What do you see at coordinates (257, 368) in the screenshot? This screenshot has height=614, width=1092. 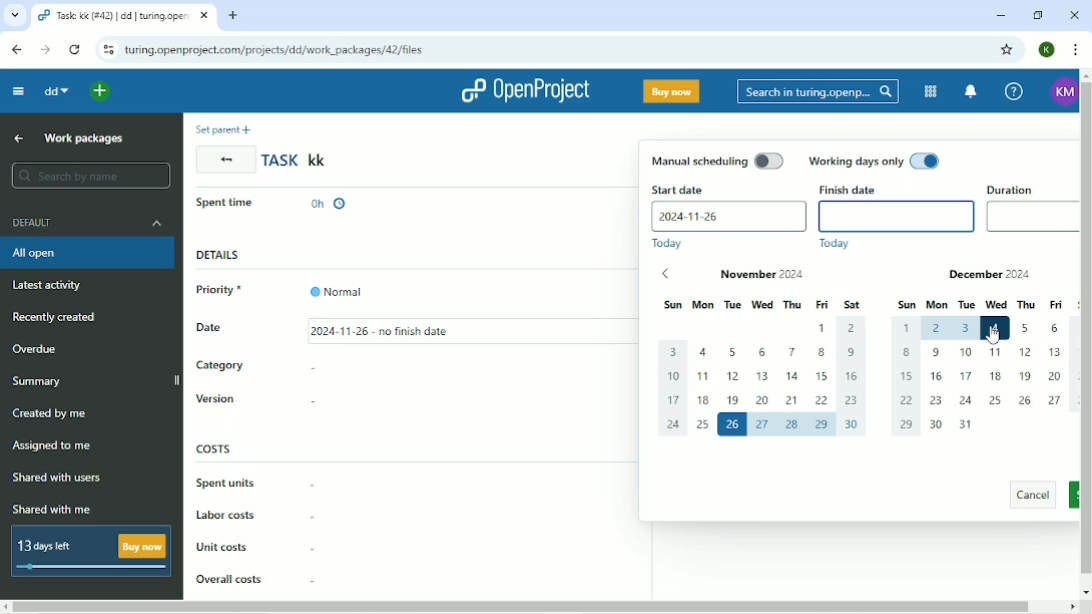 I see `Category` at bounding box center [257, 368].